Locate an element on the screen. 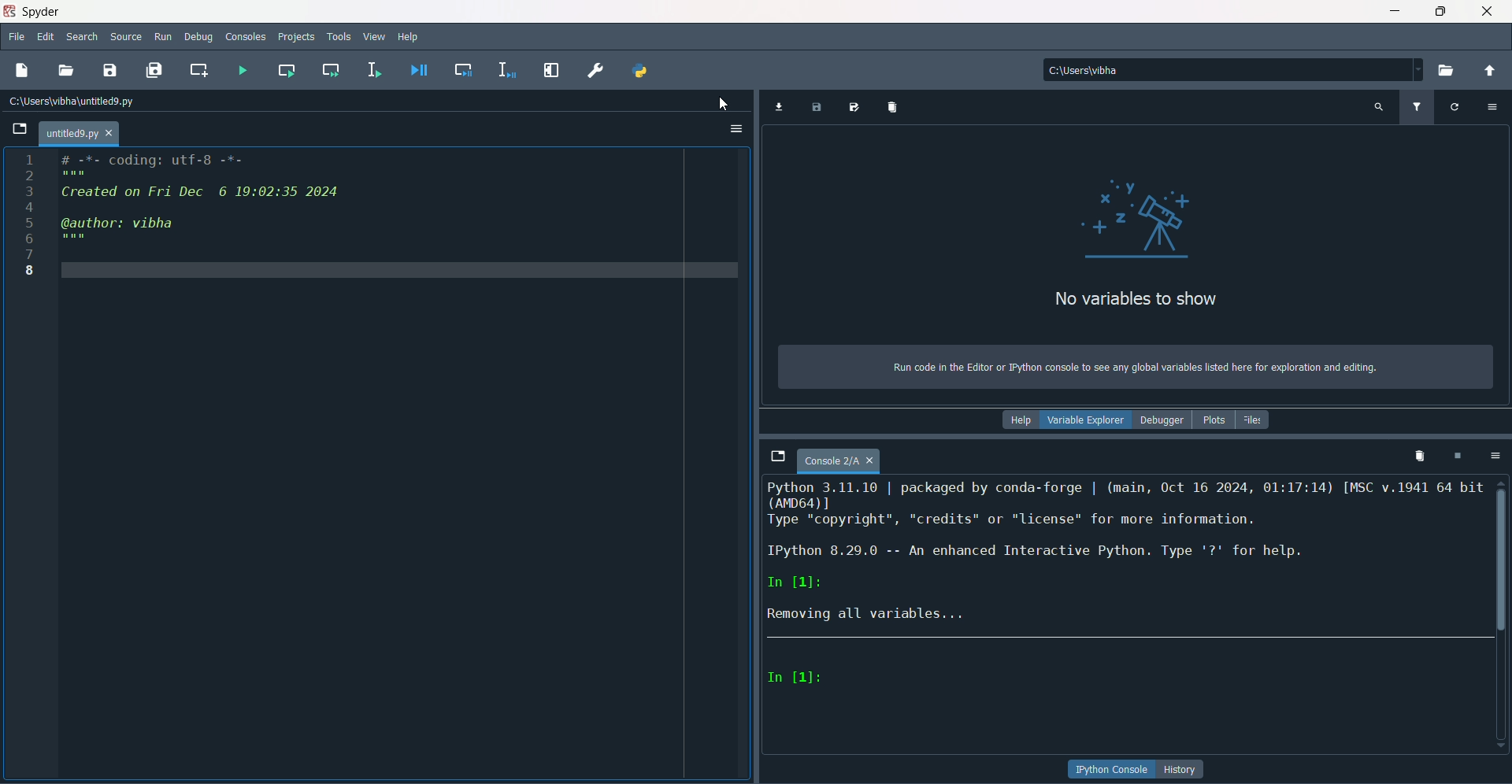 The image size is (1512, 784). consoles is located at coordinates (246, 36).